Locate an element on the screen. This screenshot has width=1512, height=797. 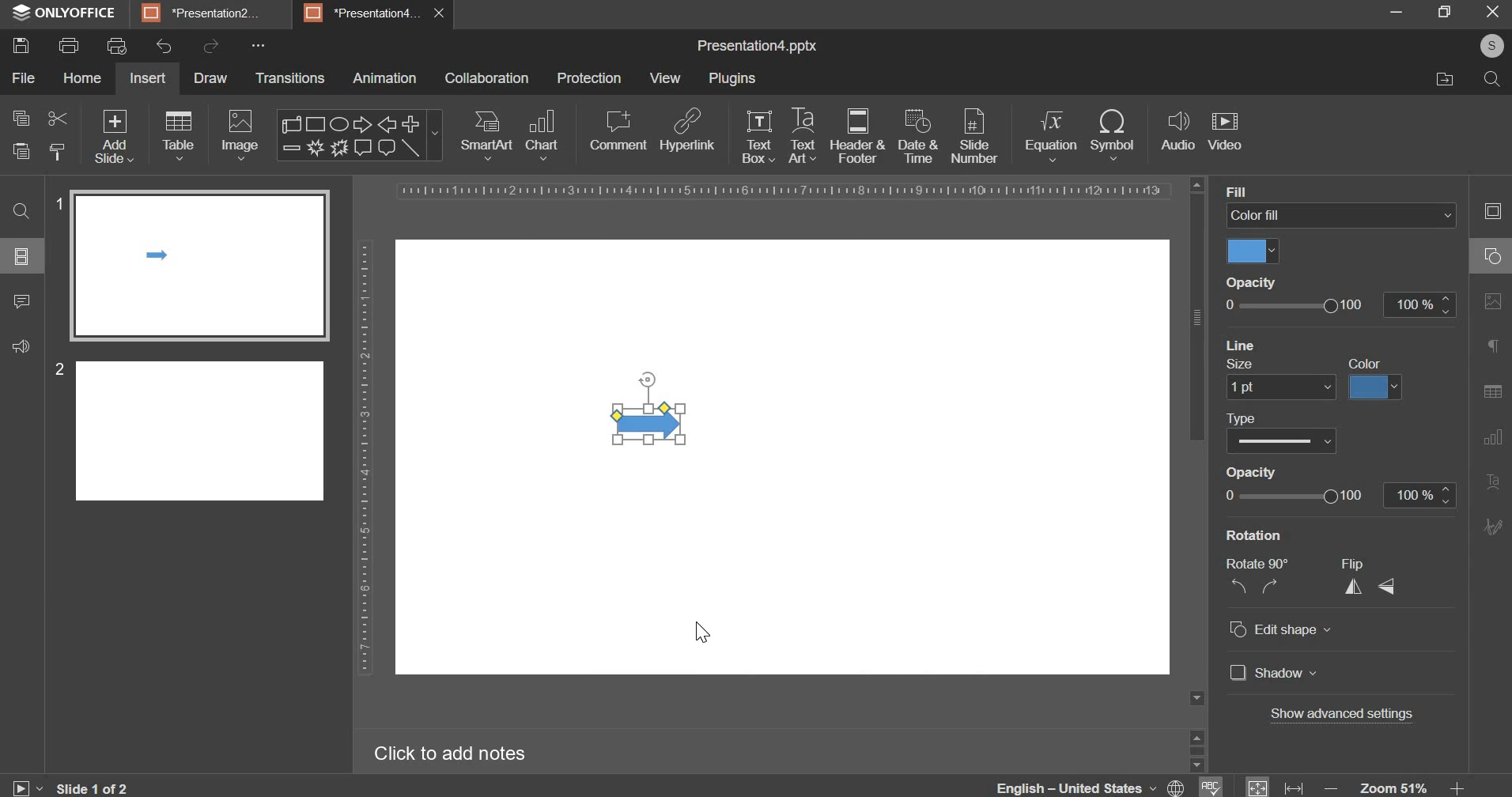
 is located at coordinates (1291, 500).